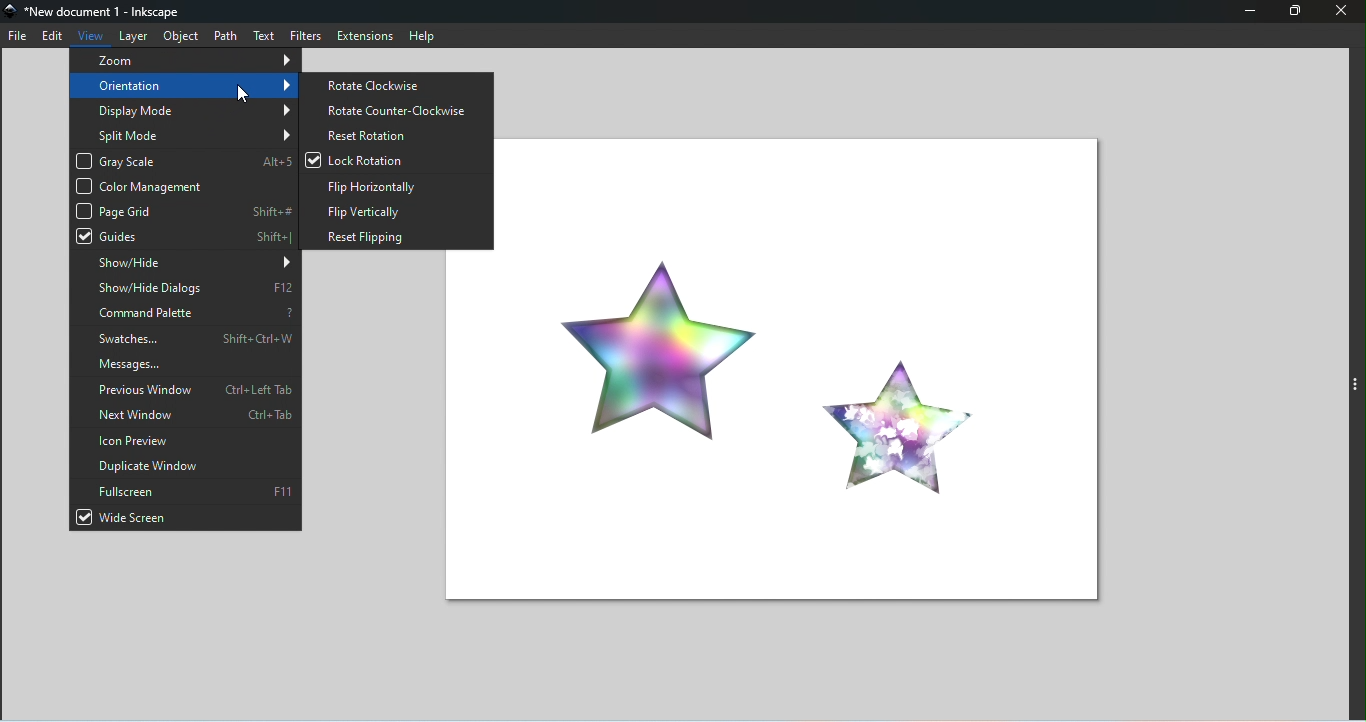 Image resolution: width=1366 pixels, height=722 pixels. I want to click on Display mode, so click(185, 110).